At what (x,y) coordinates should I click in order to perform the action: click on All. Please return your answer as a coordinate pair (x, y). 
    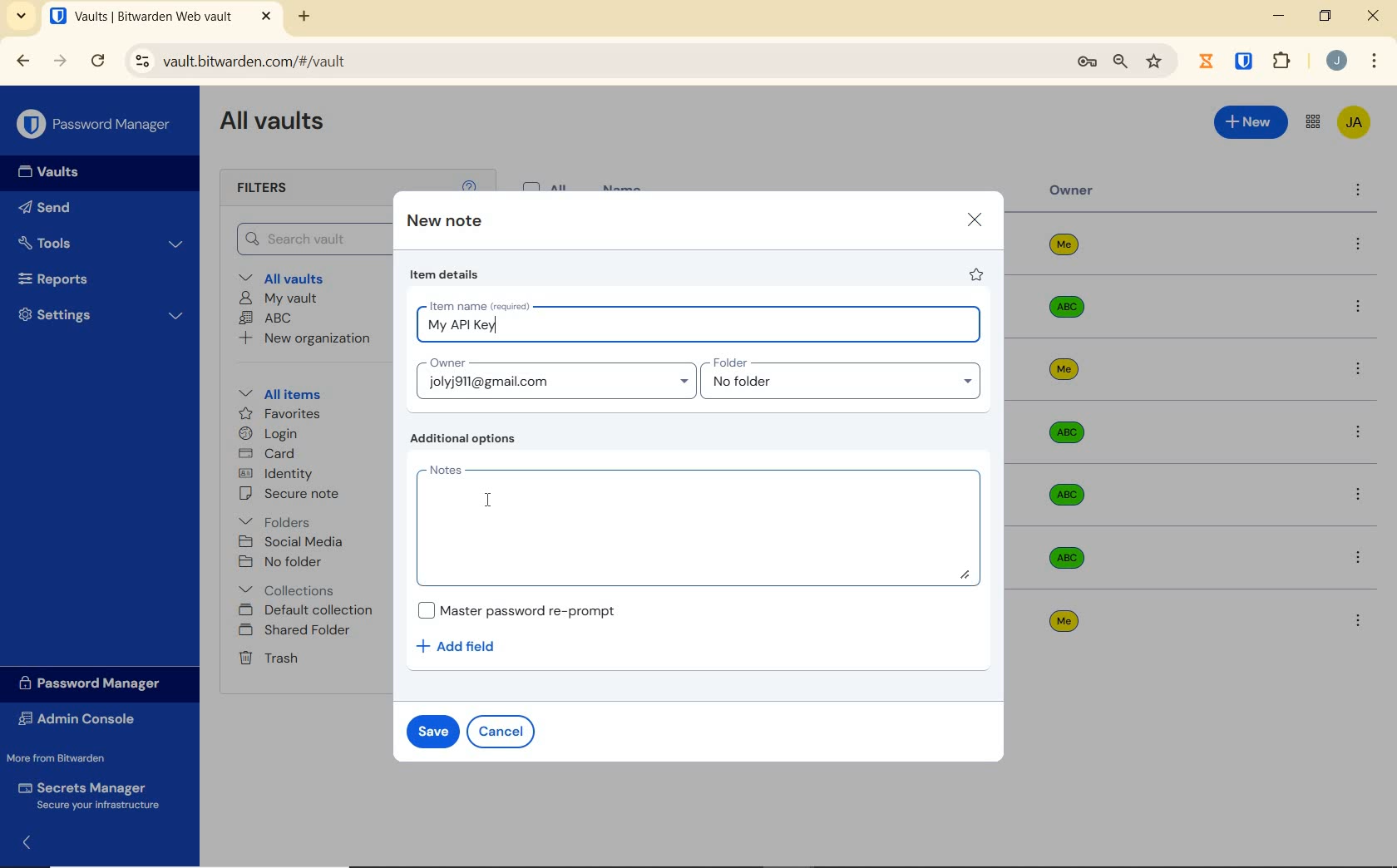
    Looking at the image, I should click on (548, 184).